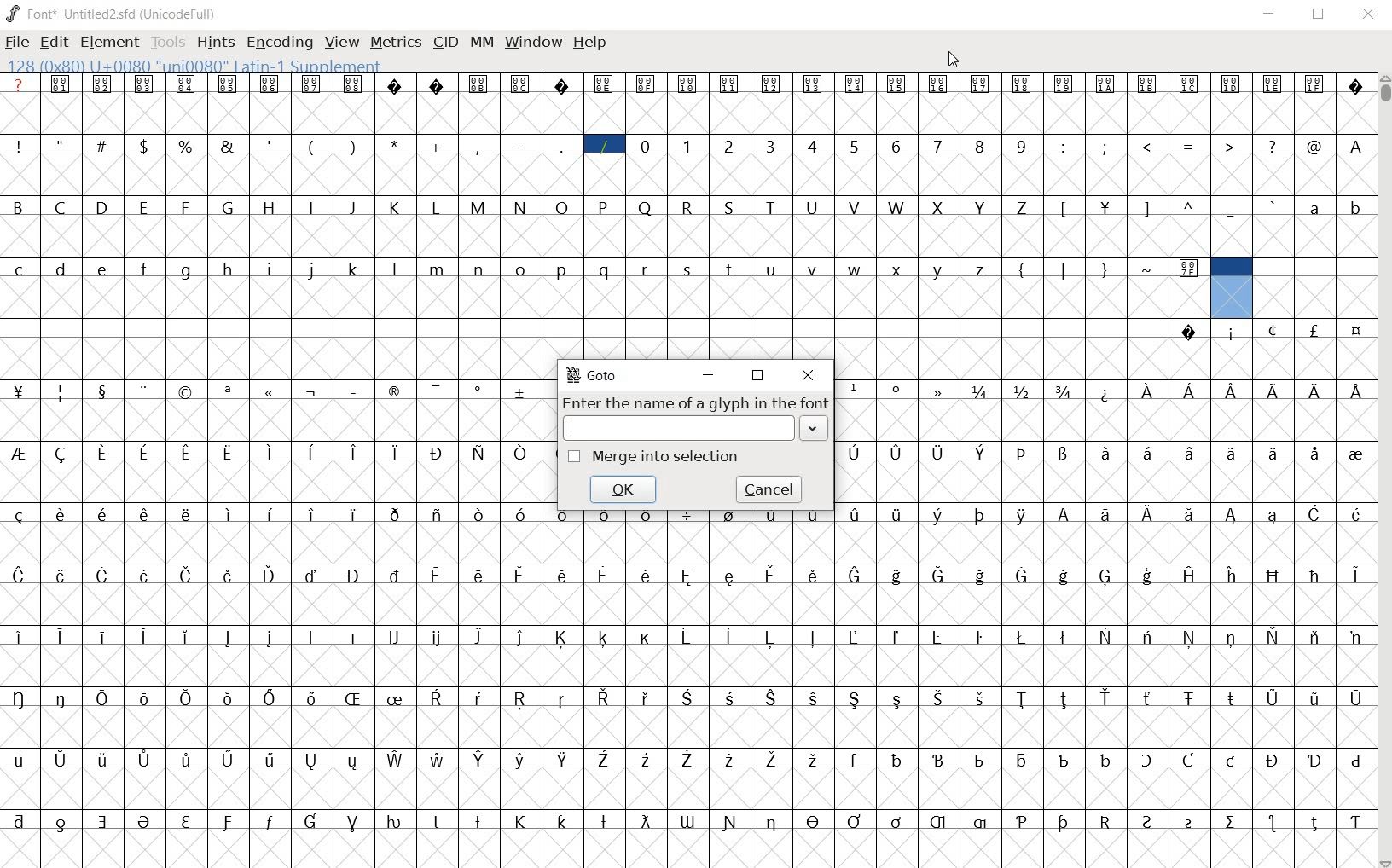 The height and width of the screenshot is (868, 1392). I want to click on ', so click(270, 146).